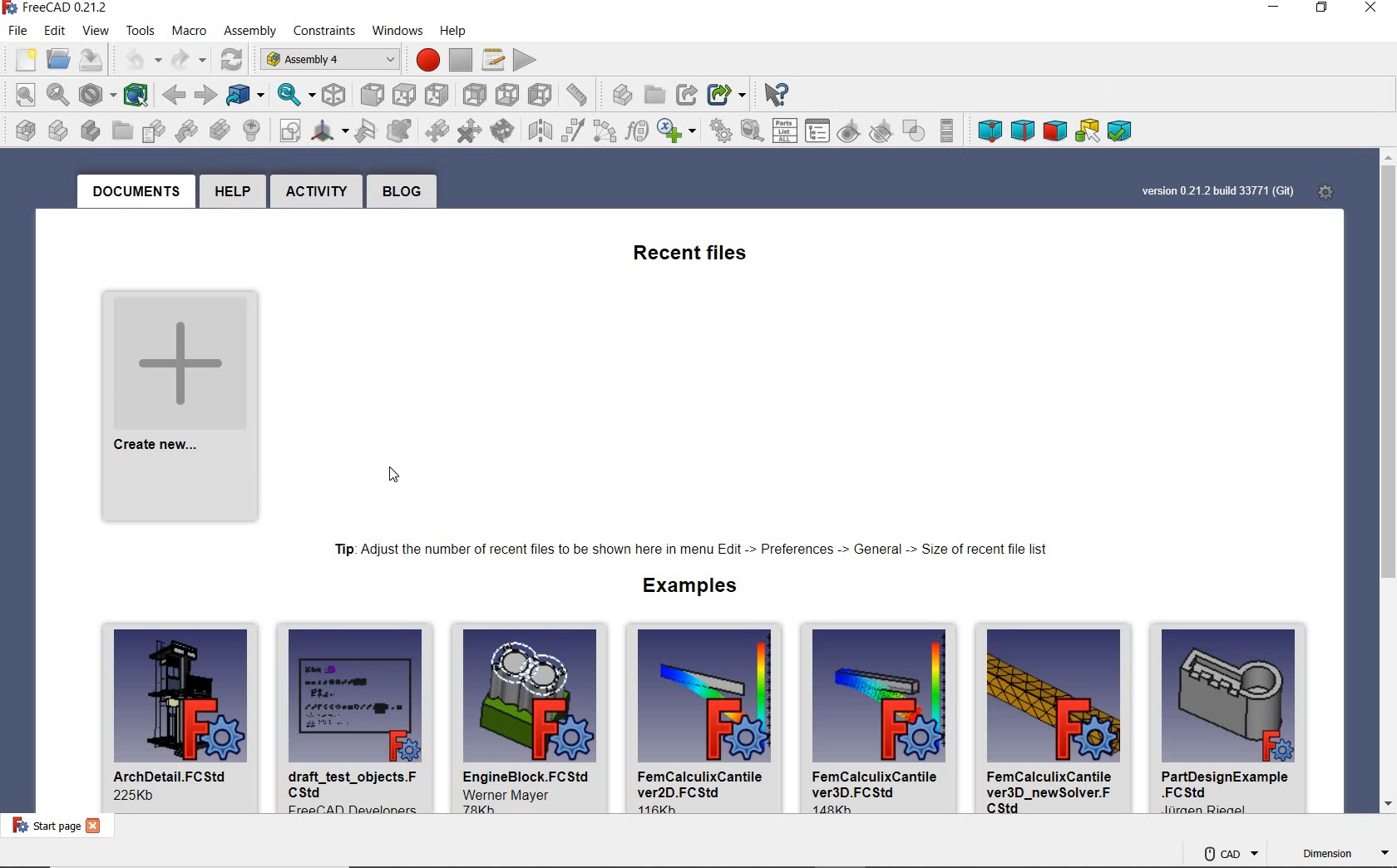 The width and height of the screenshot is (1397, 868). What do you see at coordinates (247, 131) in the screenshot?
I see `insert screw` at bounding box center [247, 131].